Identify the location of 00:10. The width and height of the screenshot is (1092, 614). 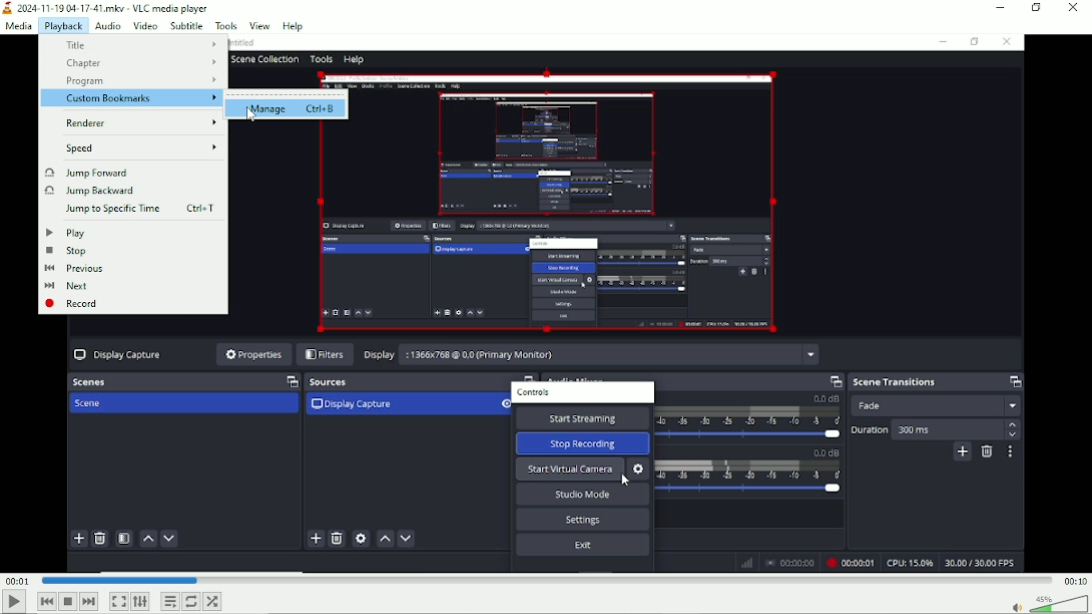
(1076, 580).